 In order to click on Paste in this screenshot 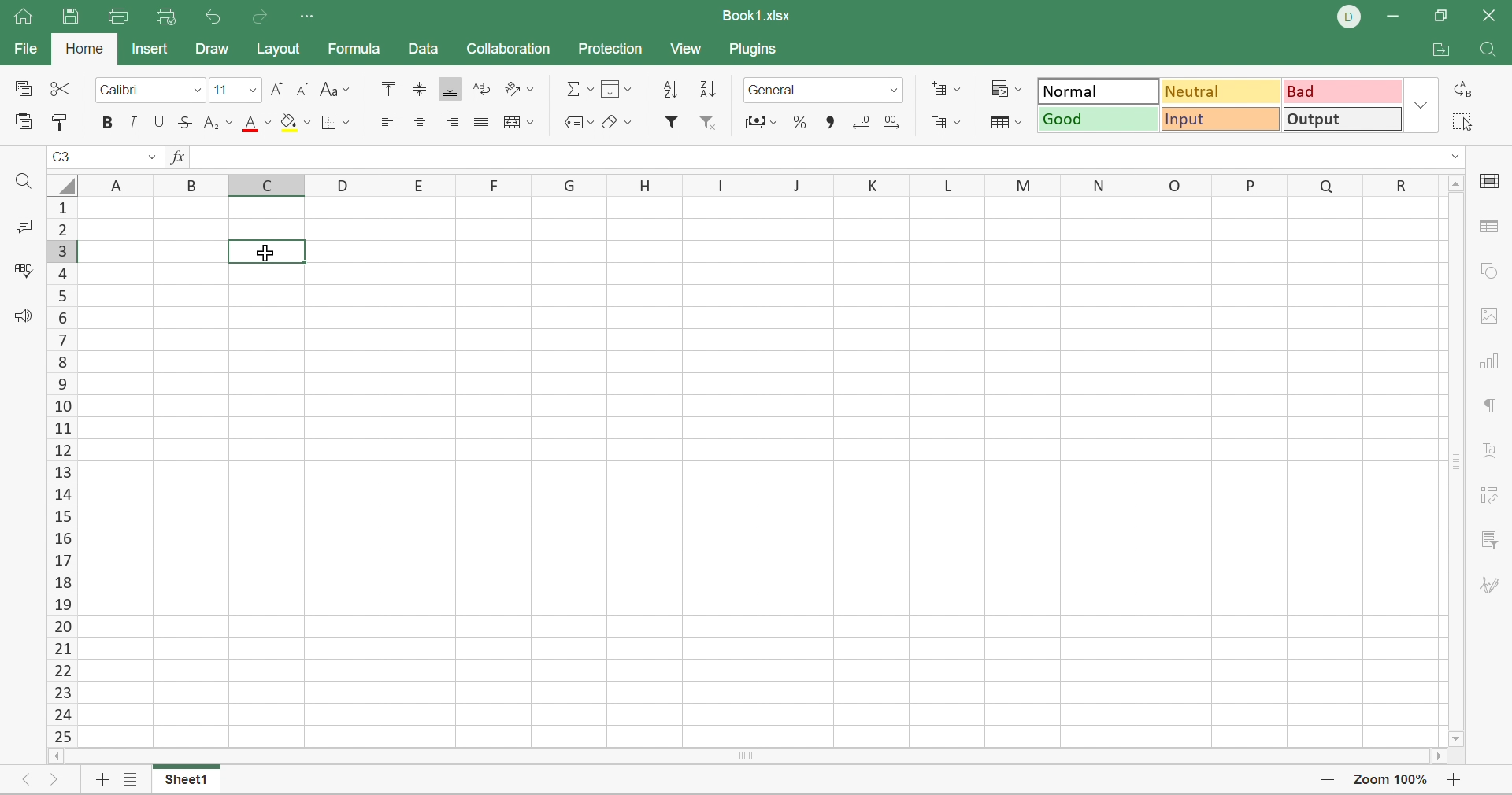, I will do `click(25, 120)`.